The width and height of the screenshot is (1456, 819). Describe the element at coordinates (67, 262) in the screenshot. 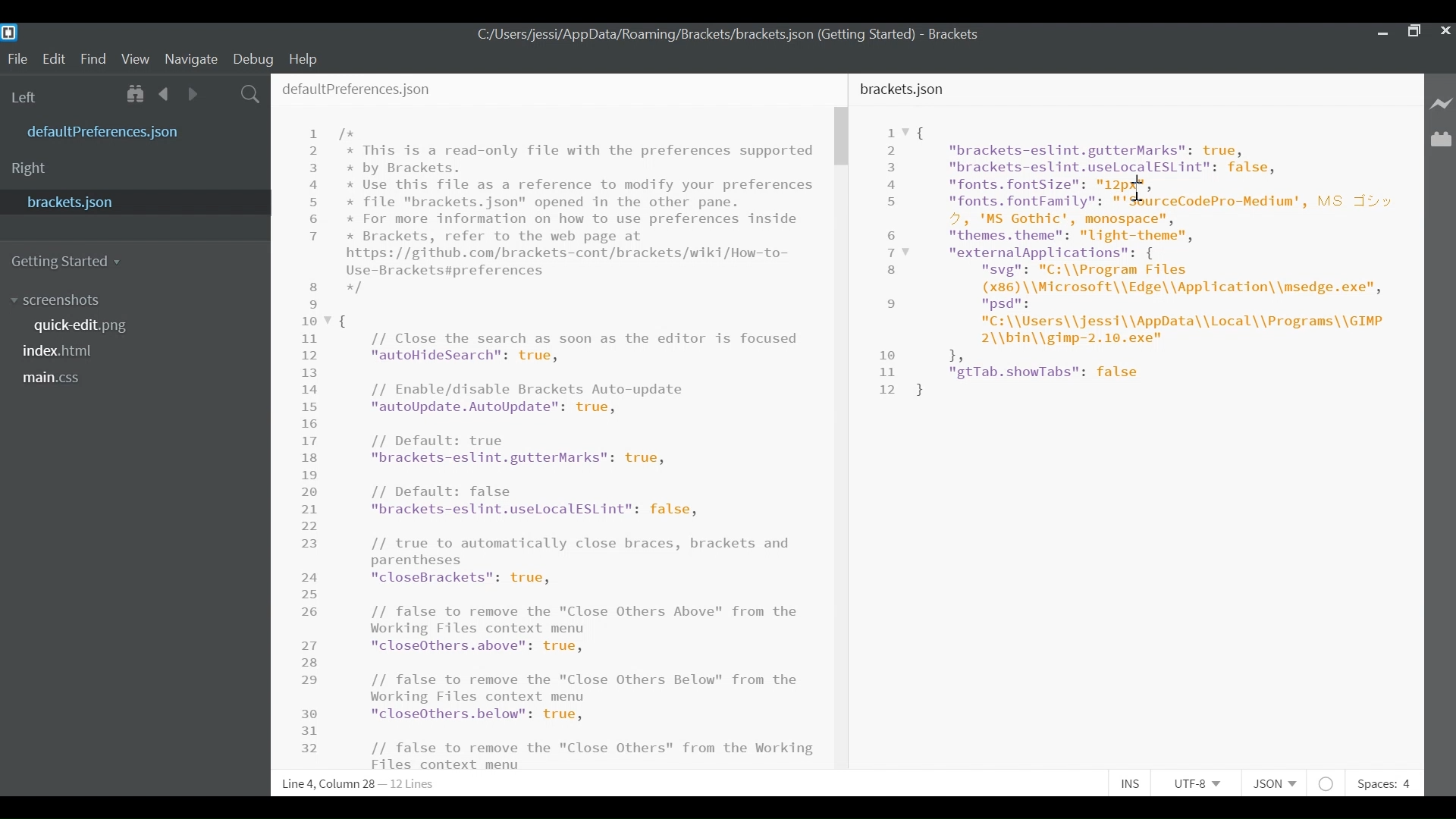

I see `Getting Started` at that location.